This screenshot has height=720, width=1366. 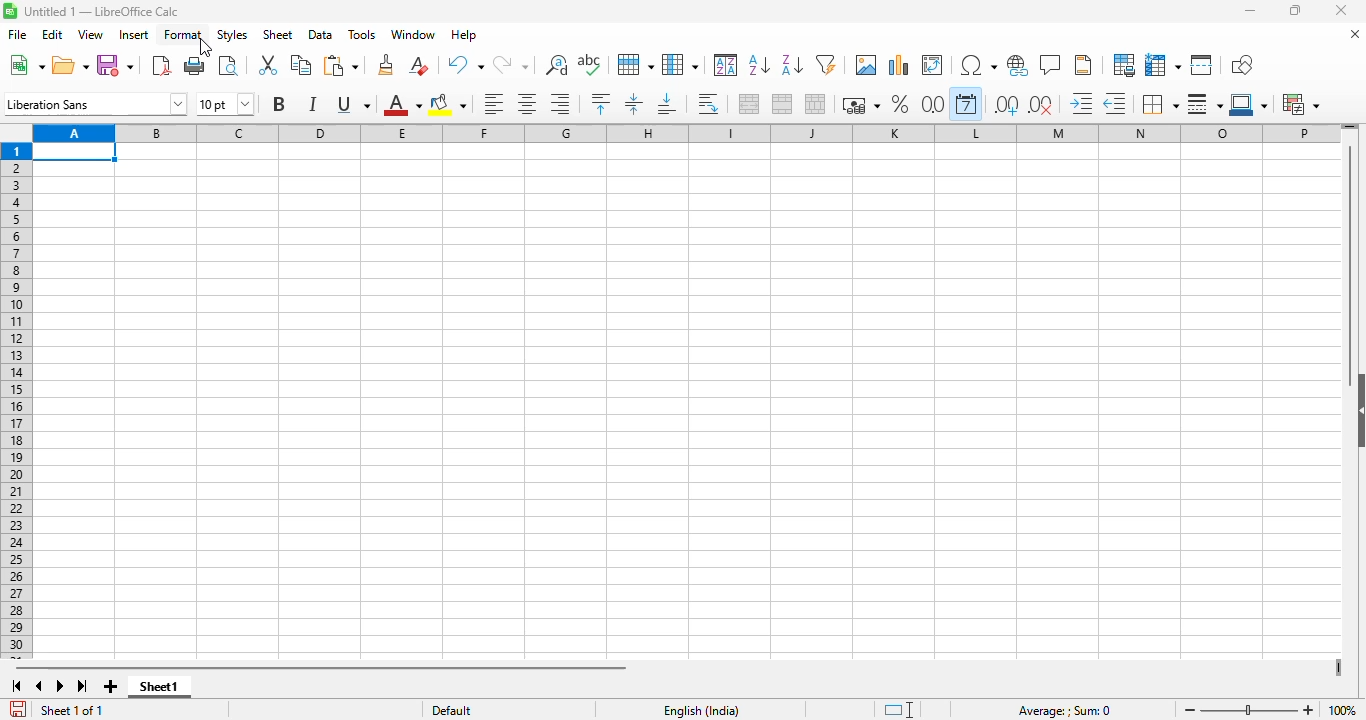 I want to click on find and replace , so click(x=557, y=65).